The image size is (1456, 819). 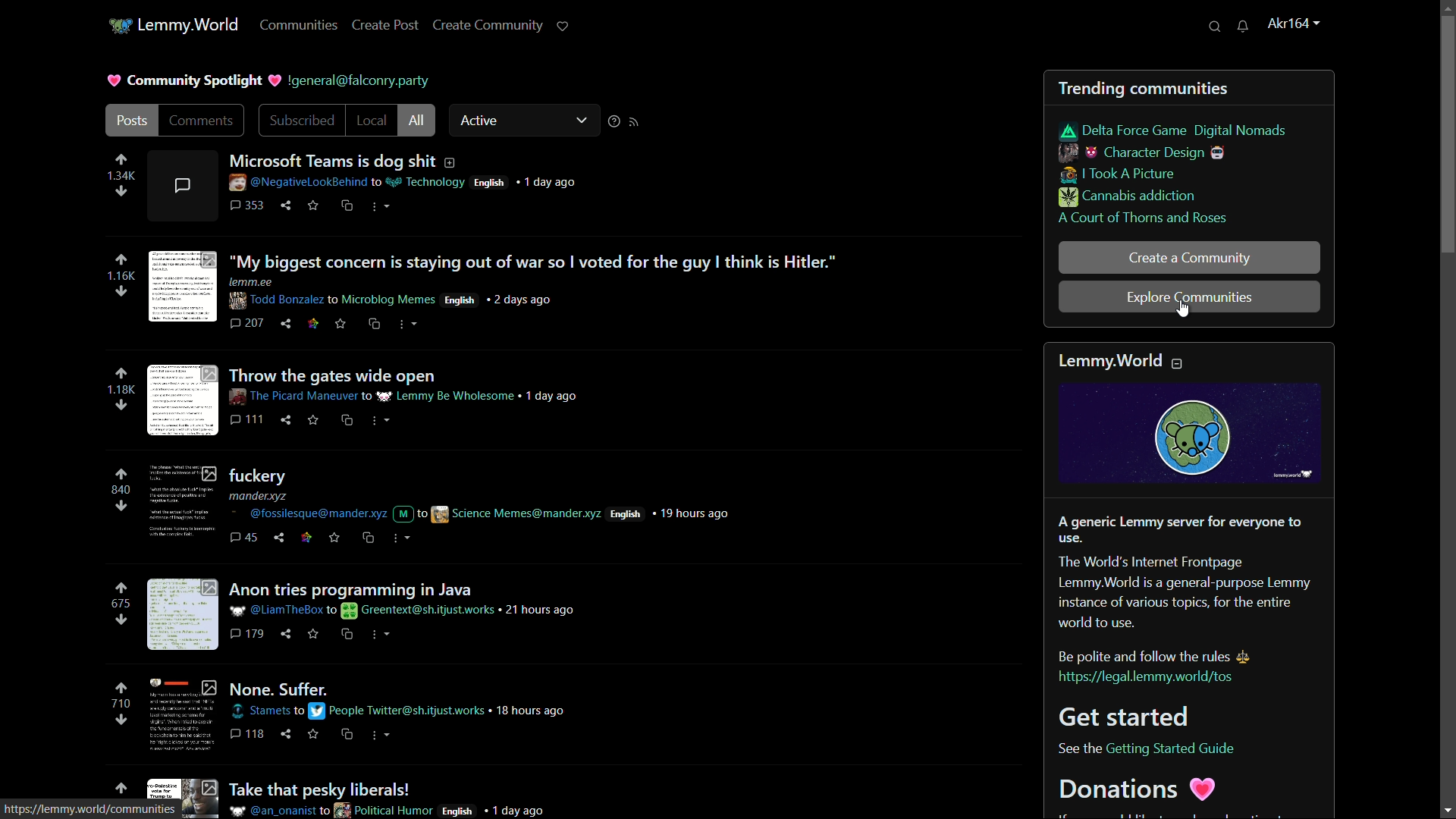 What do you see at coordinates (1144, 90) in the screenshot?
I see `trending communities` at bounding box center [1144, 90].